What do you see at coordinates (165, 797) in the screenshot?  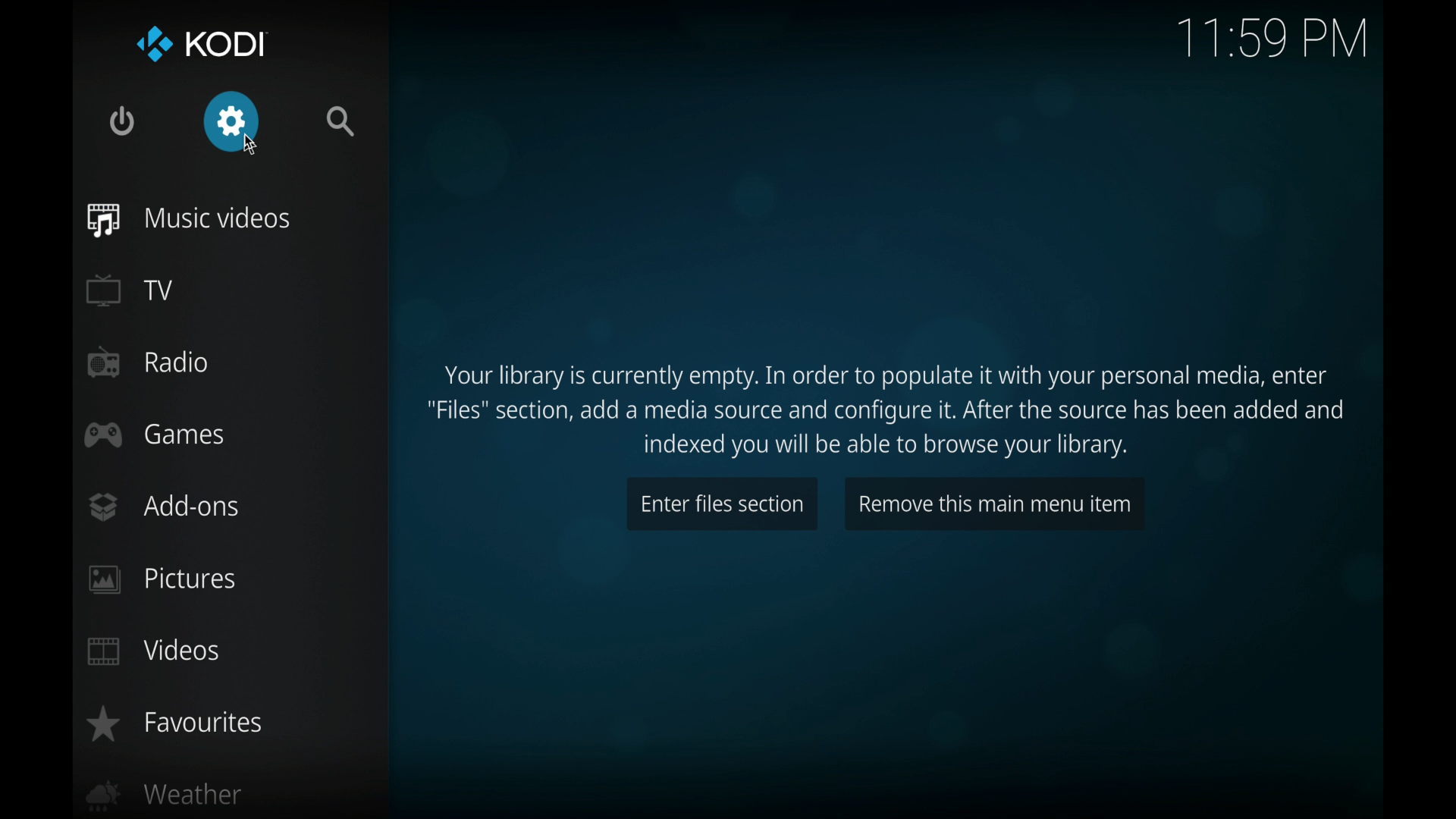 I see `weather` at bounding box center [165, 797].